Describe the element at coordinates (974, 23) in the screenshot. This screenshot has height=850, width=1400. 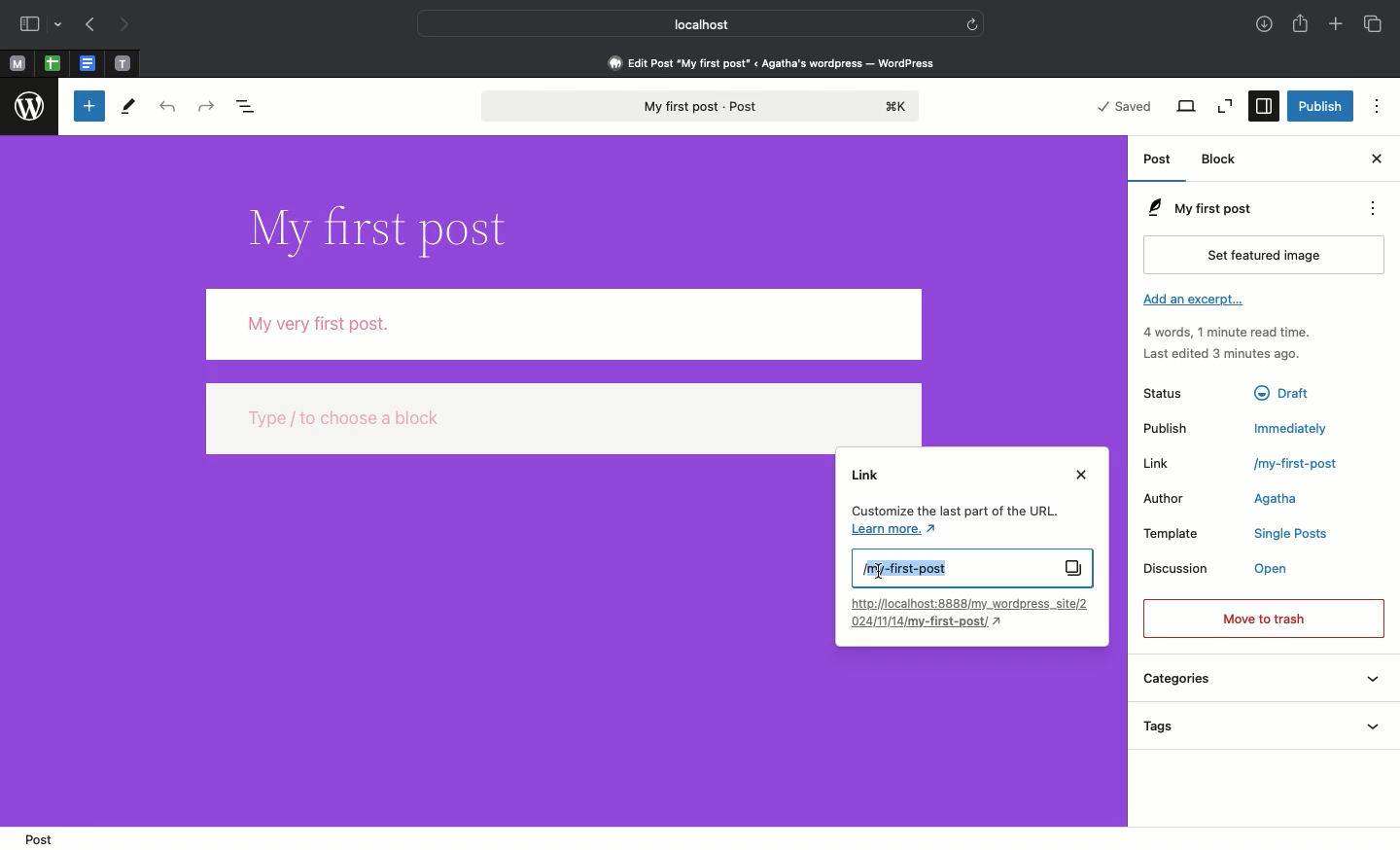
I see `refresh` at that location.